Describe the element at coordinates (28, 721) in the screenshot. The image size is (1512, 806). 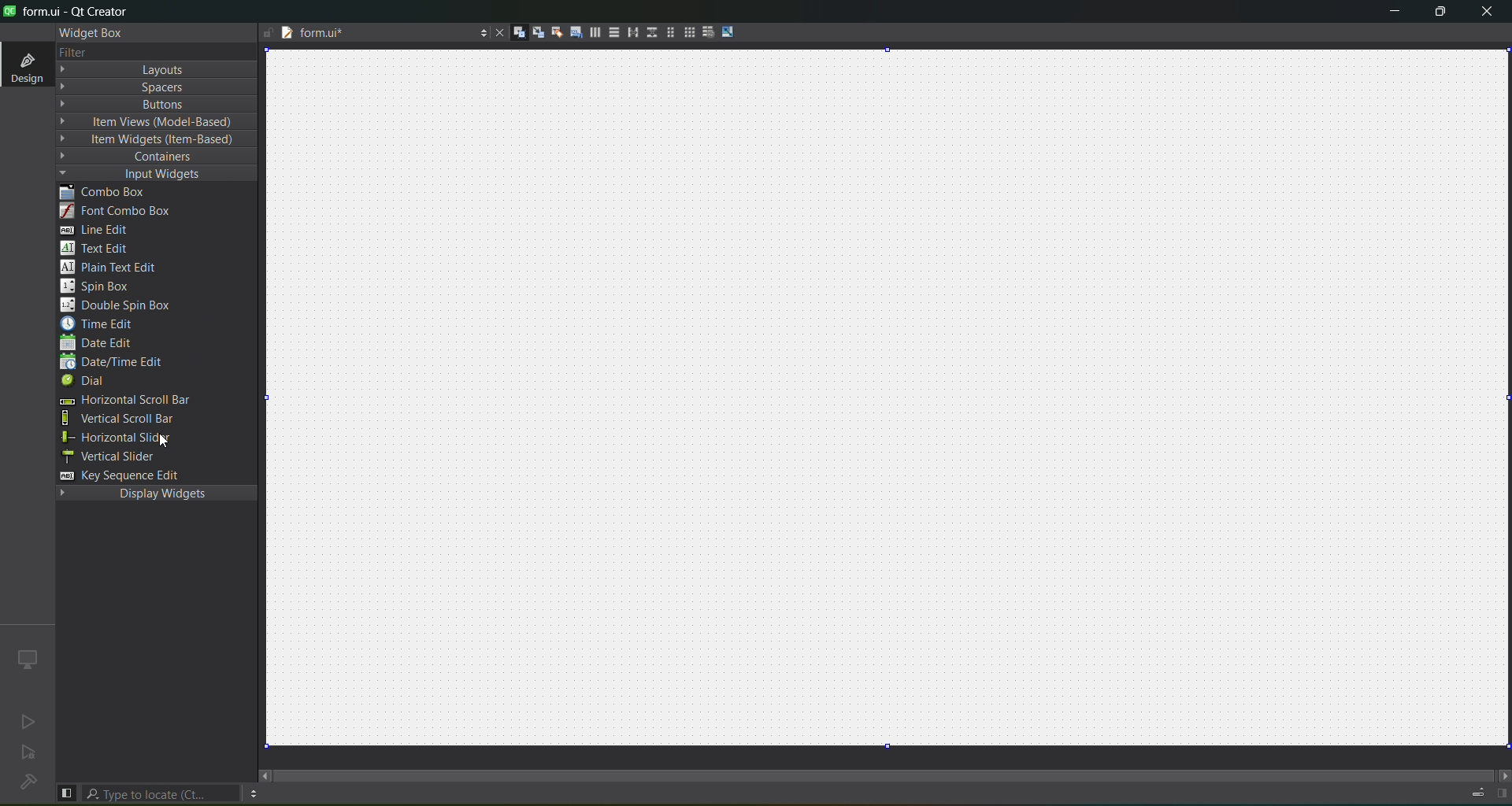
I see `no active project` at that location.